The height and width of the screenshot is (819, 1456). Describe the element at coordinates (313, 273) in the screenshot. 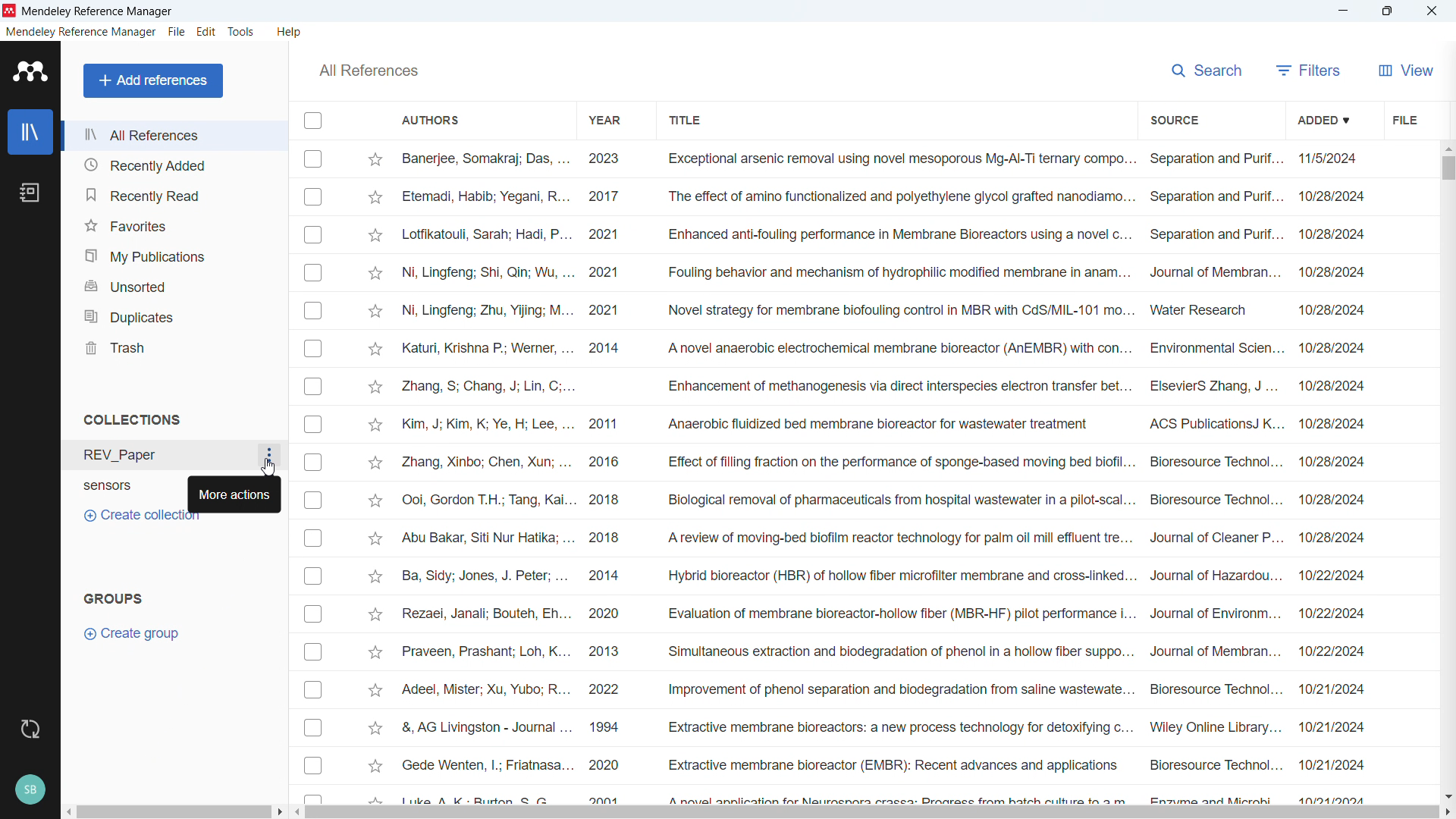

I see `Select respective publication` at that location.